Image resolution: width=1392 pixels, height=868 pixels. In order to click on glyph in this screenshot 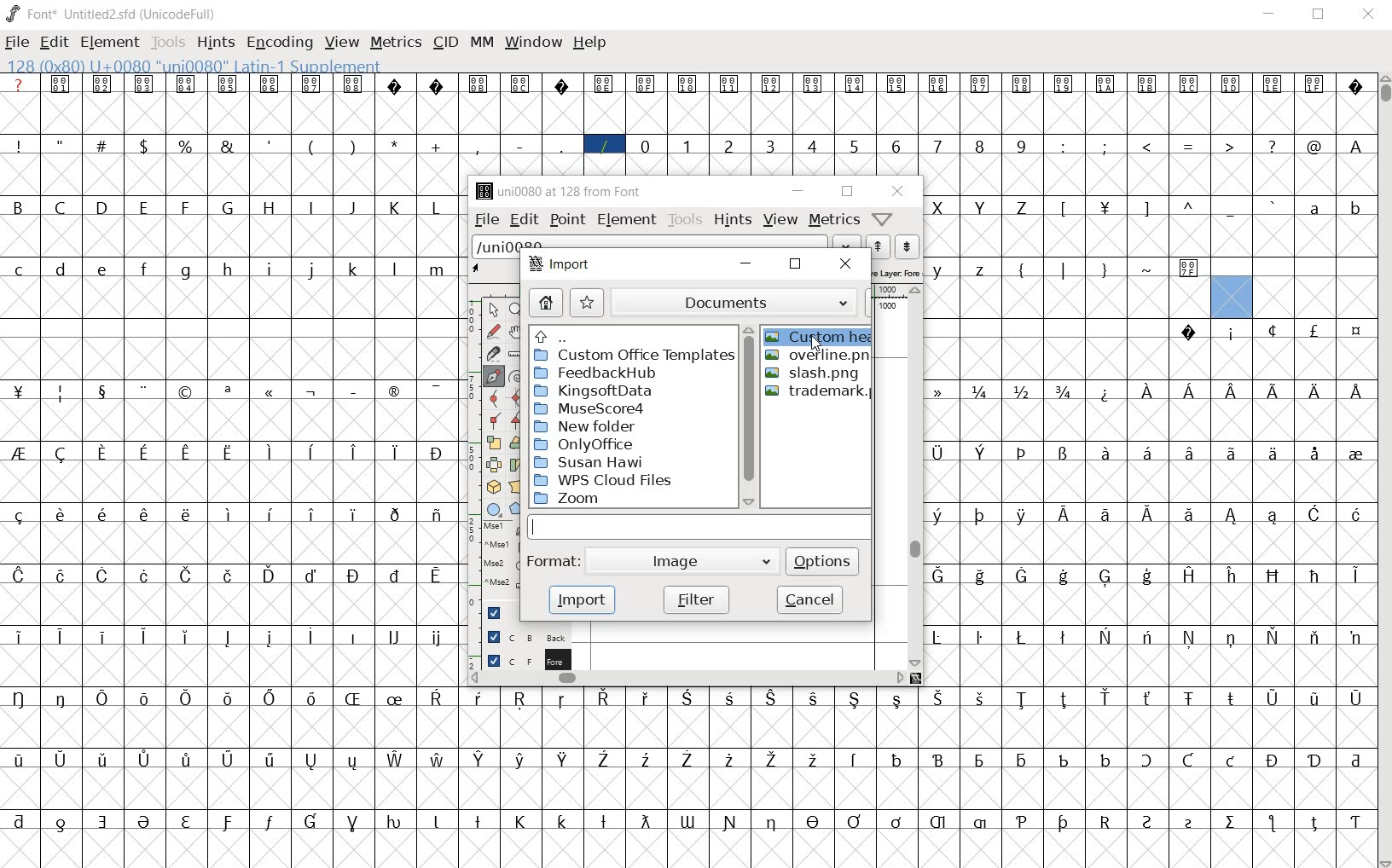, I will do `click(814, 759)`.